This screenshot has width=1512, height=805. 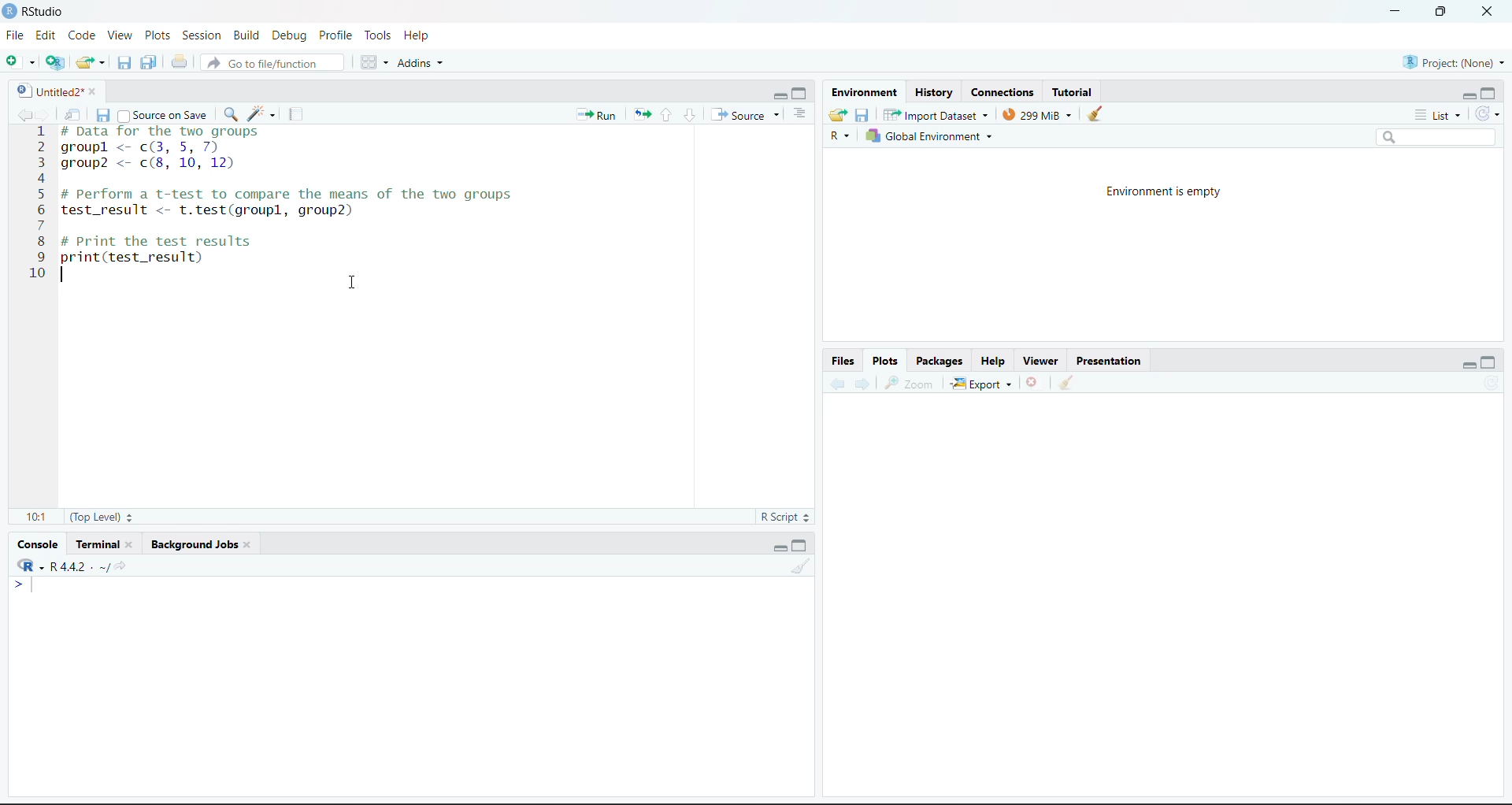 What do you see at coordinates (639, 113) in the screenshot?
I see `Re-run the previous code again` at bounding box center [639, 113].